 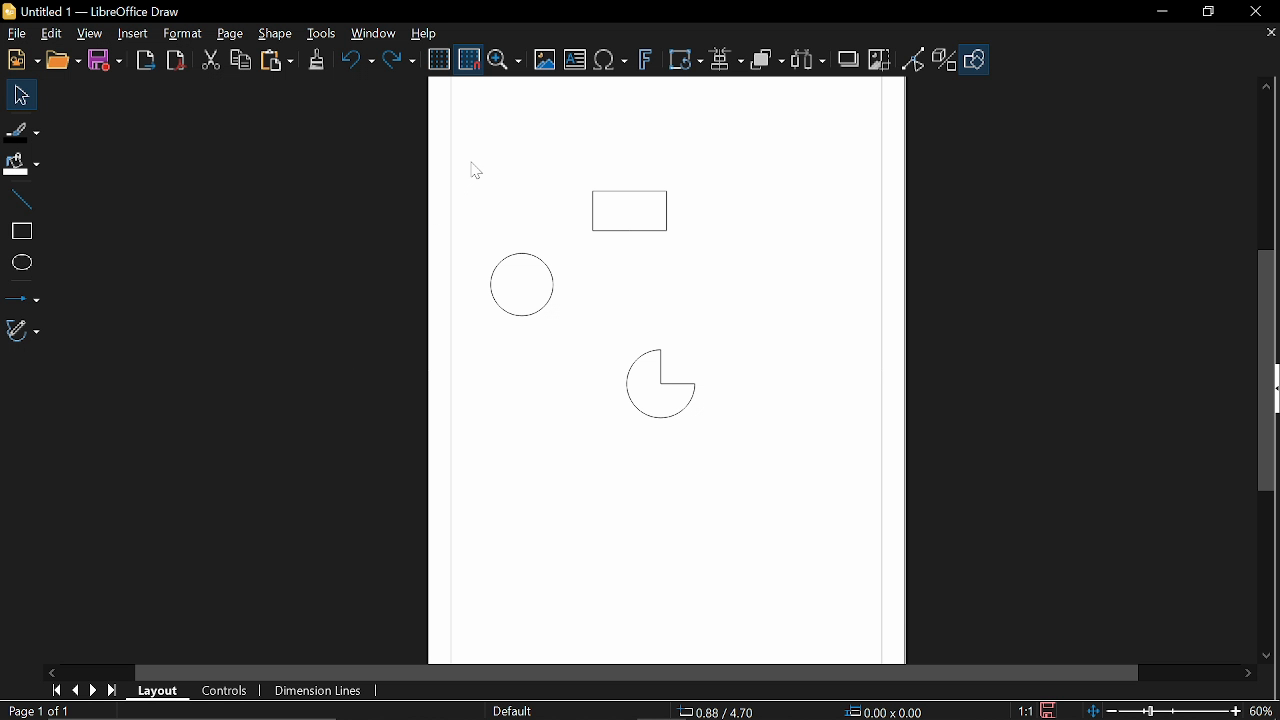 I want to click on Close window, so click(x=1254, y=10).